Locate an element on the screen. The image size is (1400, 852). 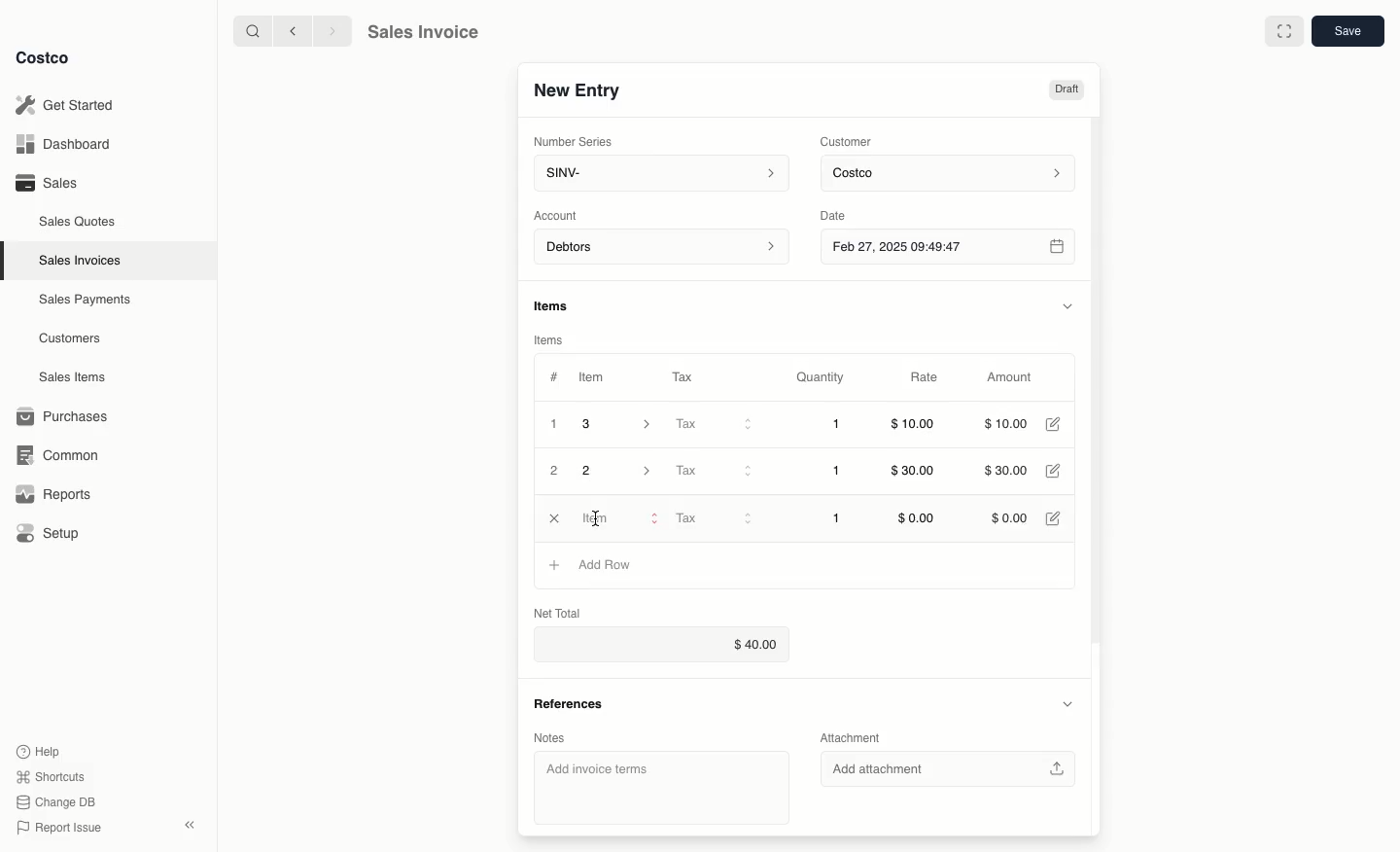
Tax is located at coordinates (713, 425).